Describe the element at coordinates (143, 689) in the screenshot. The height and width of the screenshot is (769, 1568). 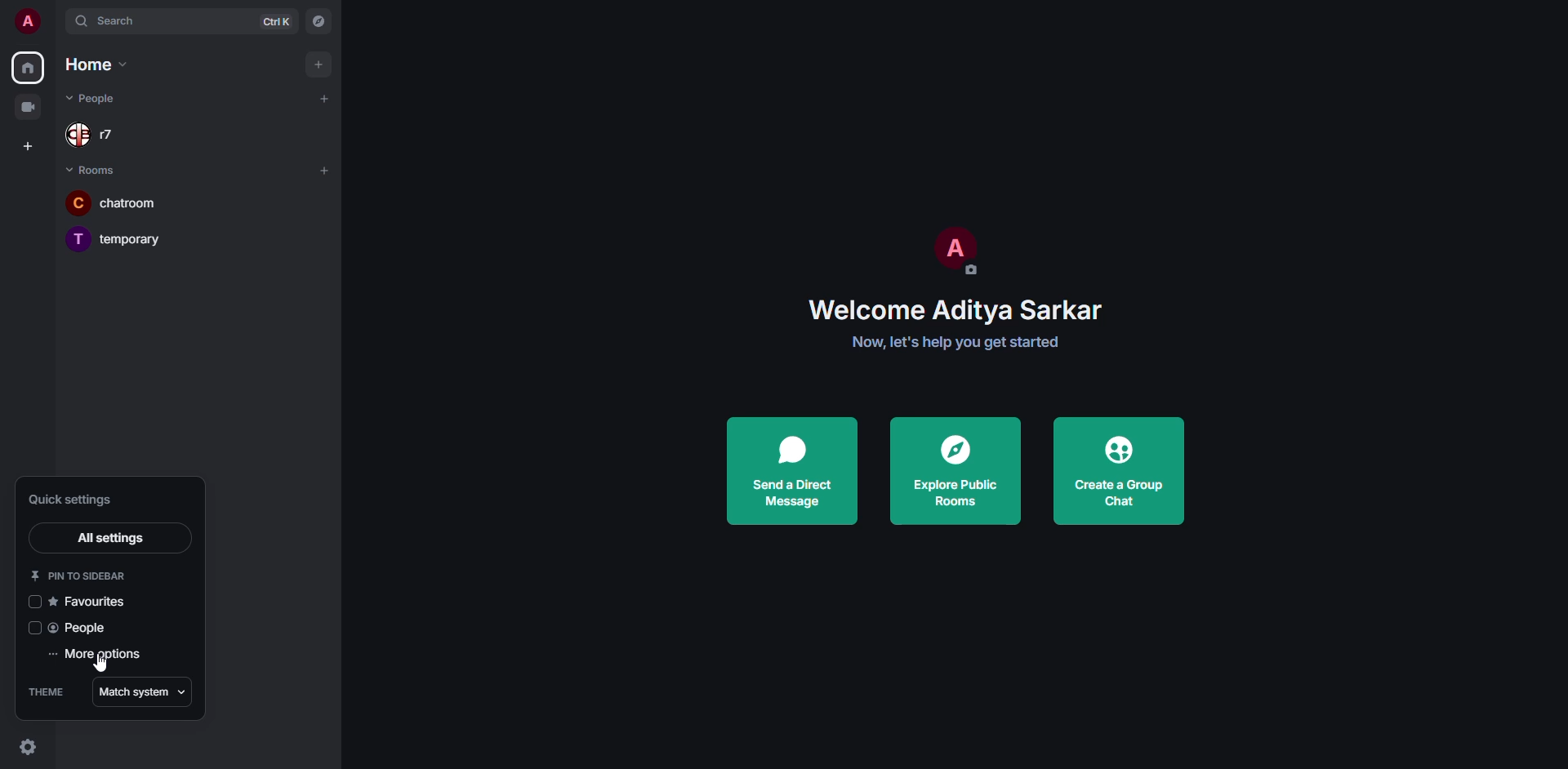
I see `match system` at that location.